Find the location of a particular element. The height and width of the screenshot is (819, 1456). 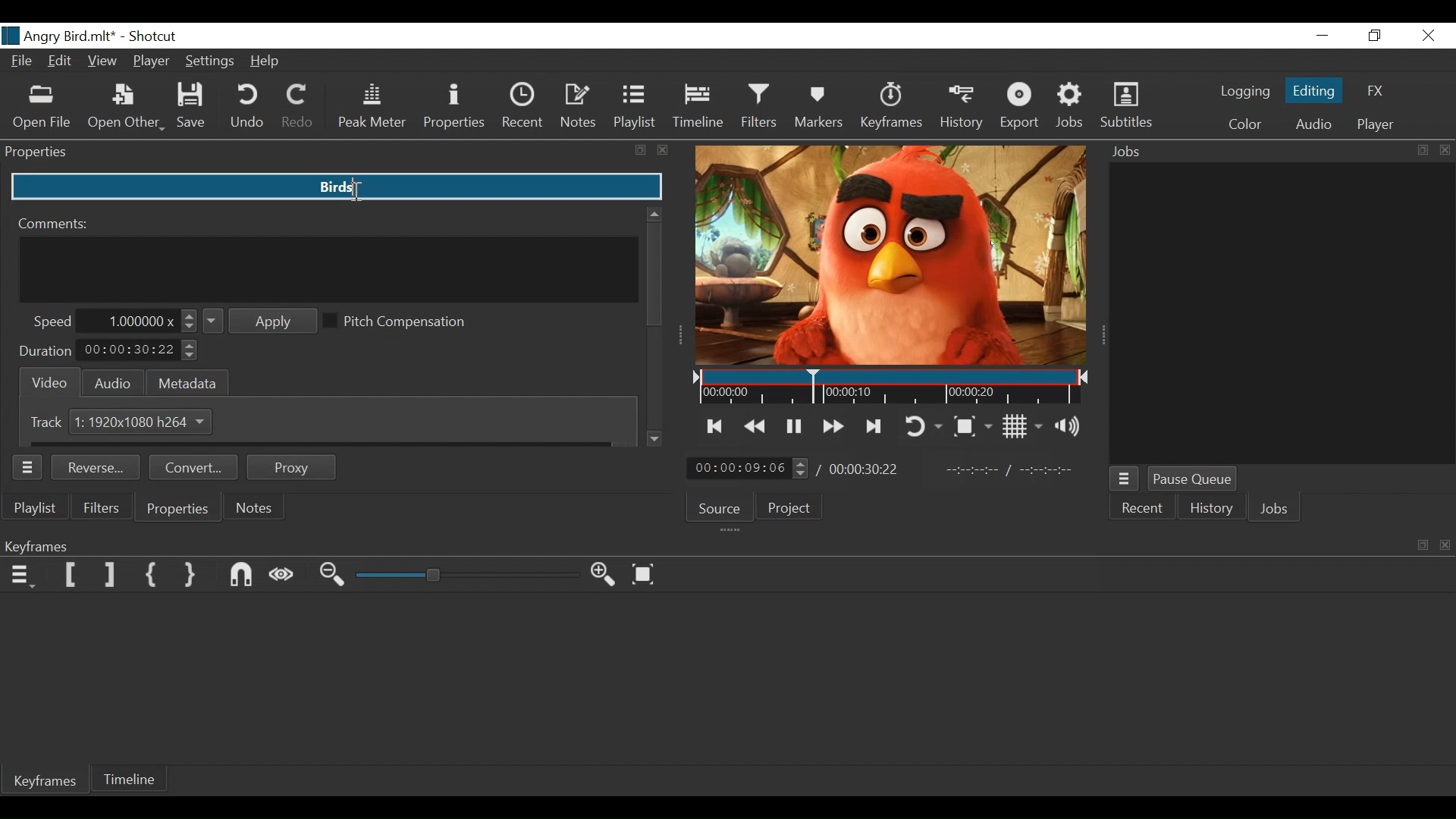

Properties is located at coordinates (453, 106).